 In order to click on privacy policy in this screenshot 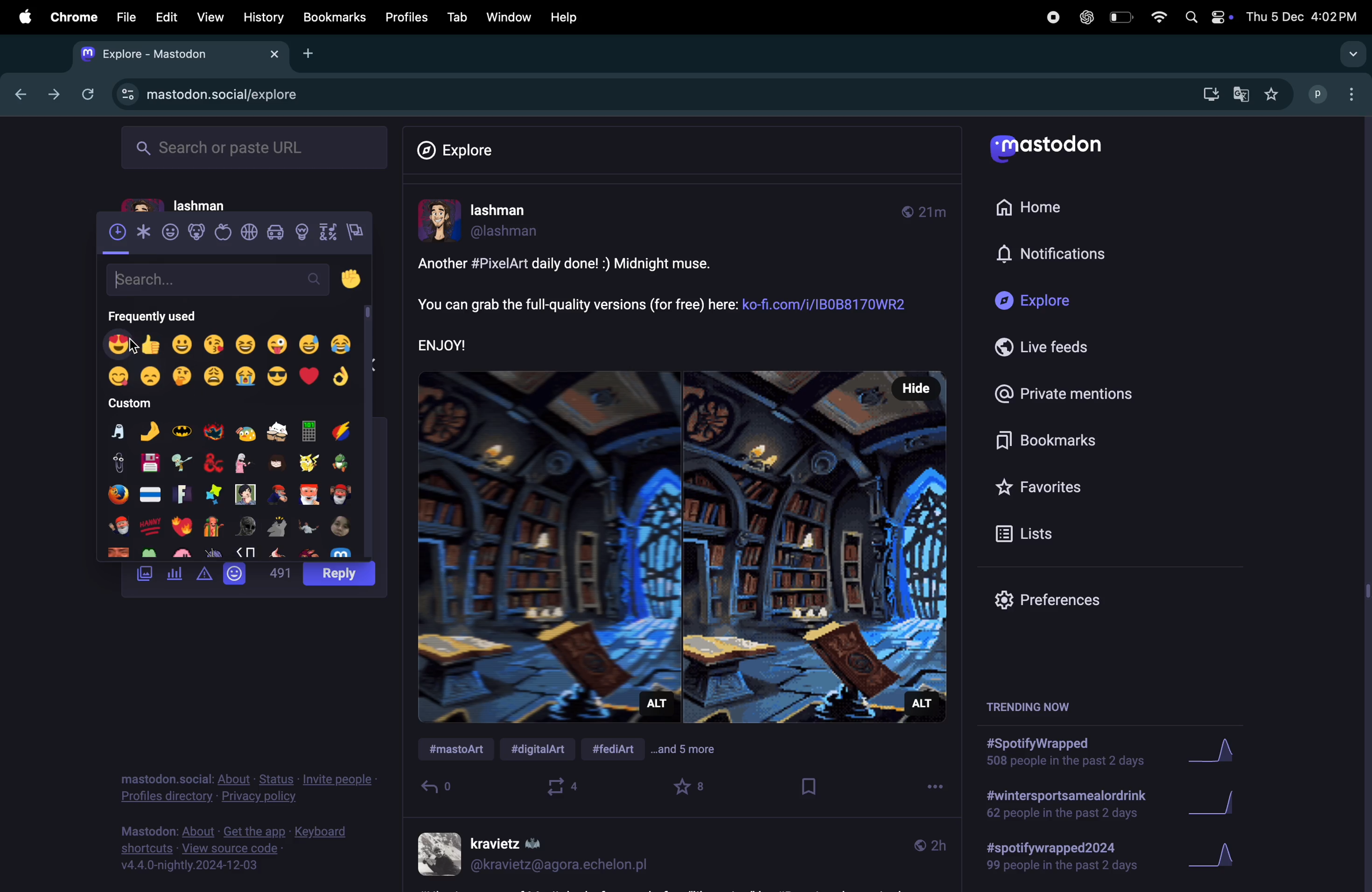, I will do `click(250, 788)`.